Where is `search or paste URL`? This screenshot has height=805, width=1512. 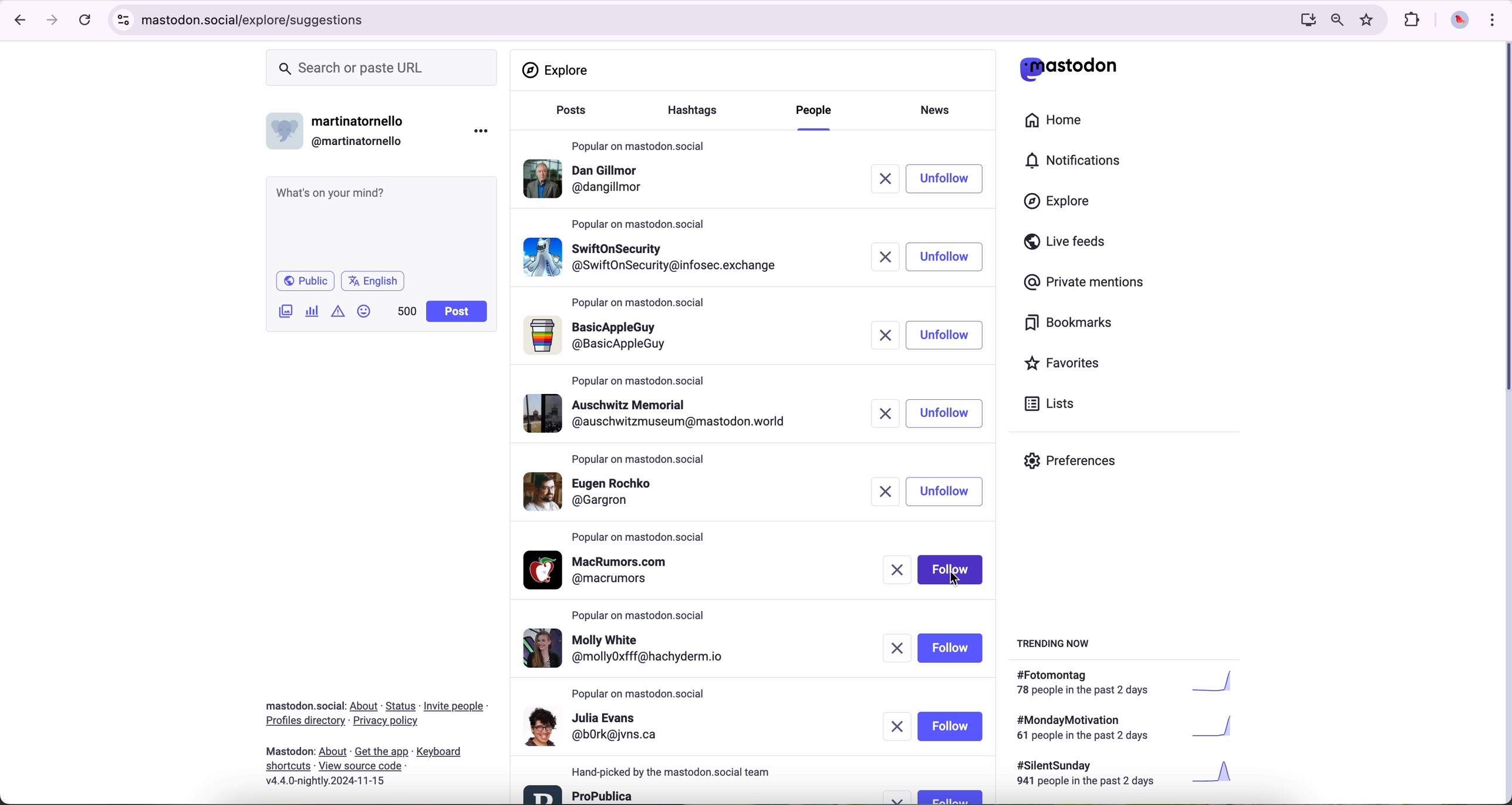 search or paste URL is located at coordinates (382, 68).